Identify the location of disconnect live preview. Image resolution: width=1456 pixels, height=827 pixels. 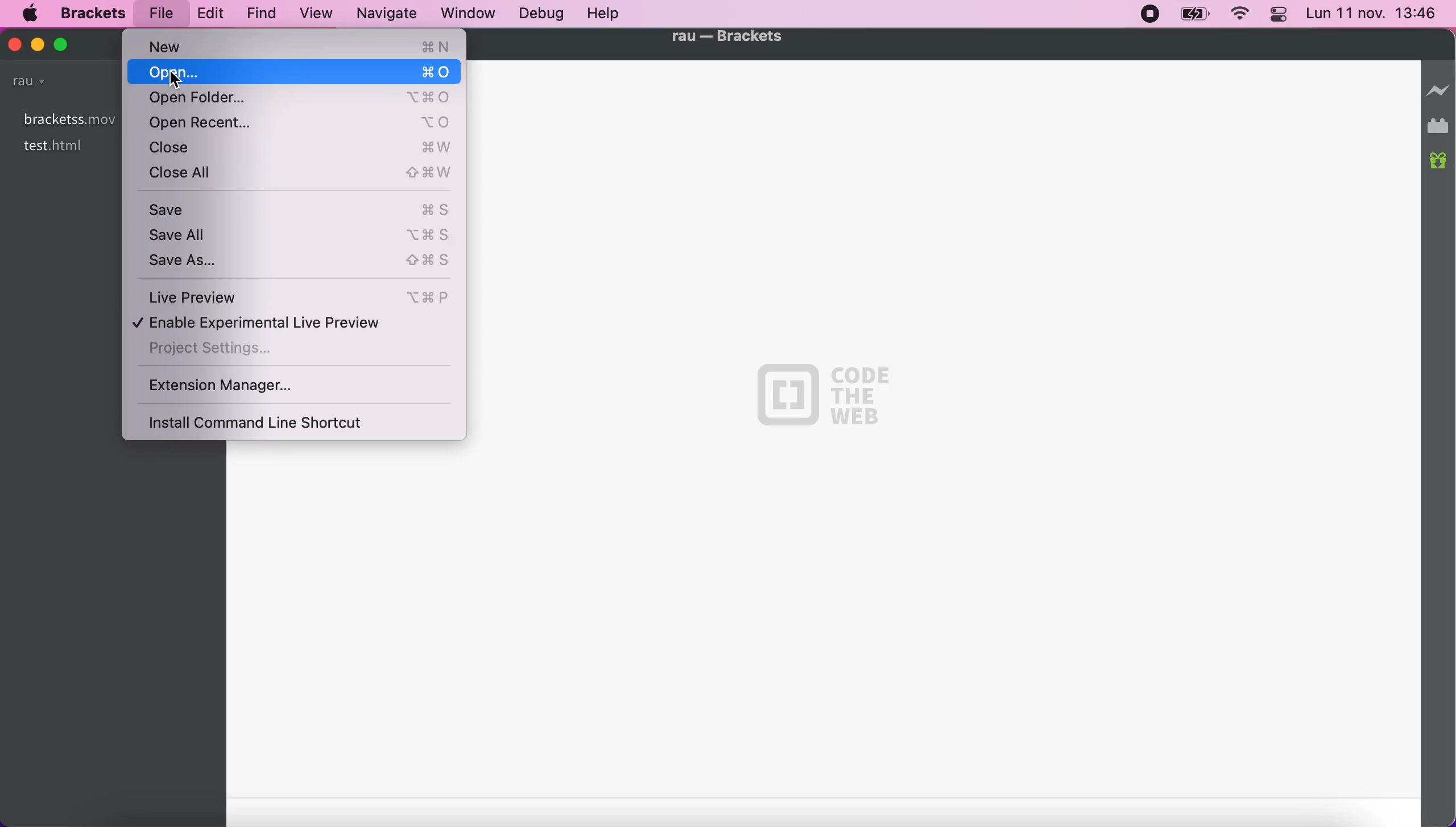
(1439, 90).